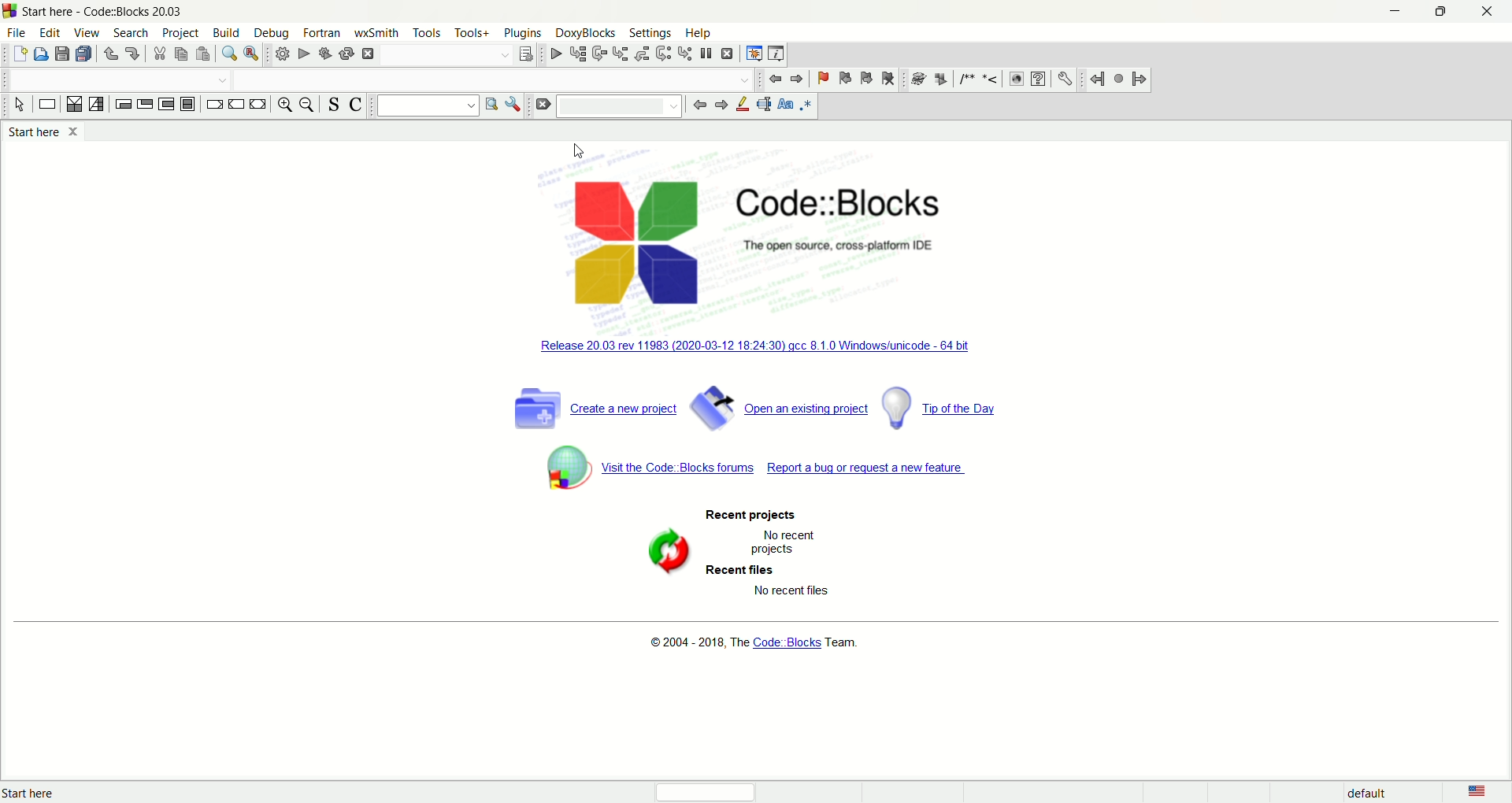 This screenshot has height=803, width=1512. Describe the element at coordinates (498, 80) in the screenshot. I see `drop down` at that location.